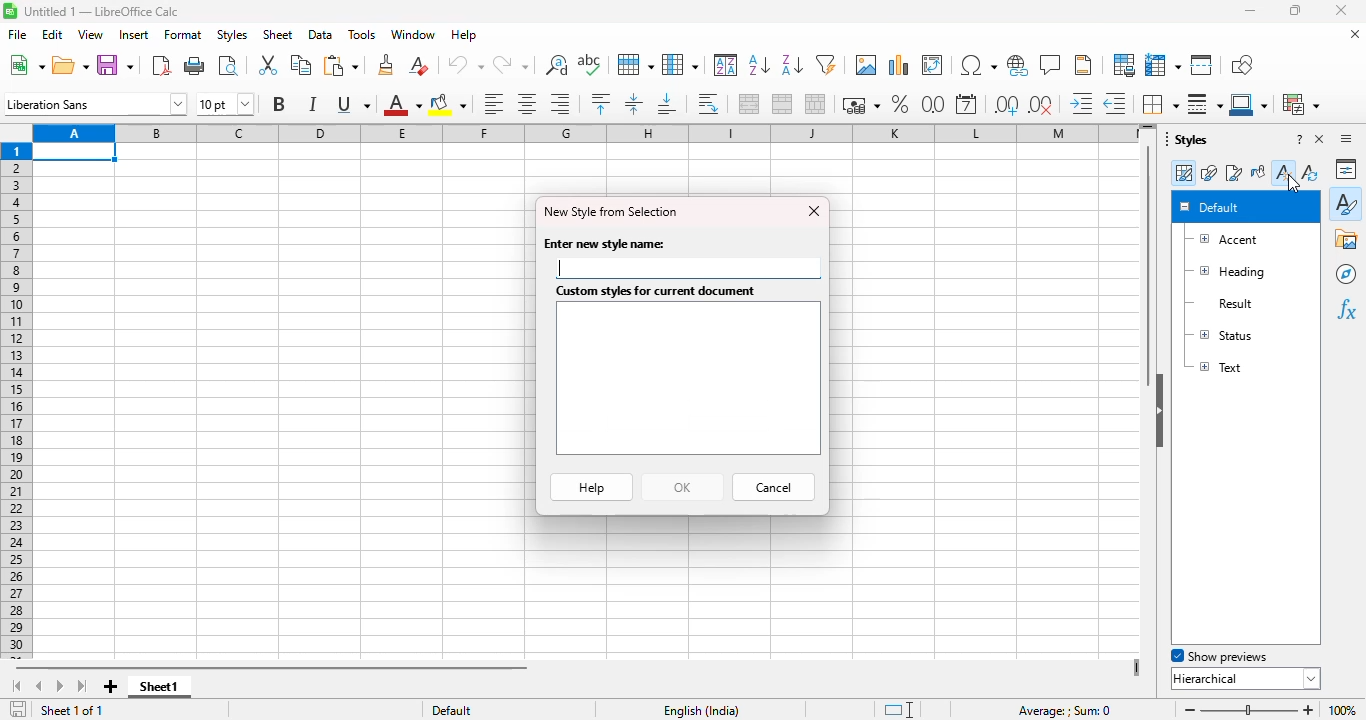 The image size is (1366, 720). I want to click on new style from selection, so click(610, 212).